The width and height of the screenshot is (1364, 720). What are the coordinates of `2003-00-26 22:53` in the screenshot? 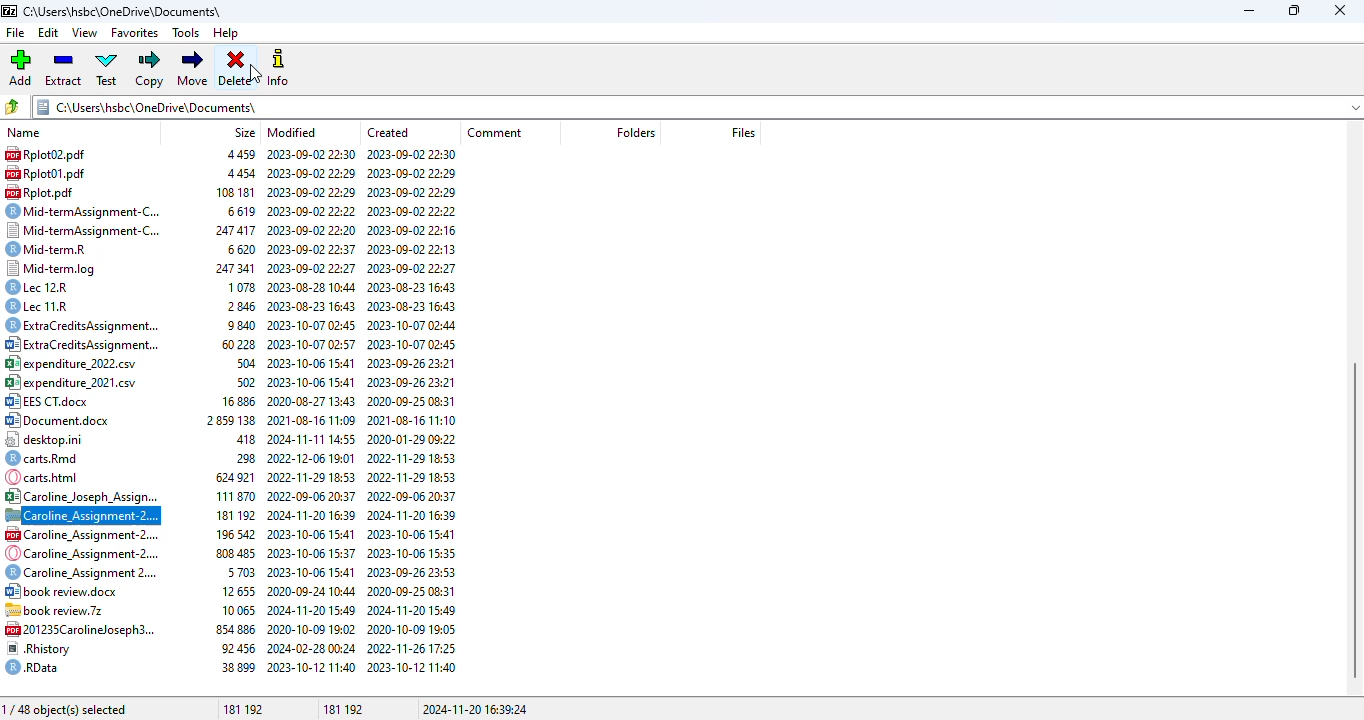 It's located at (412, 571).